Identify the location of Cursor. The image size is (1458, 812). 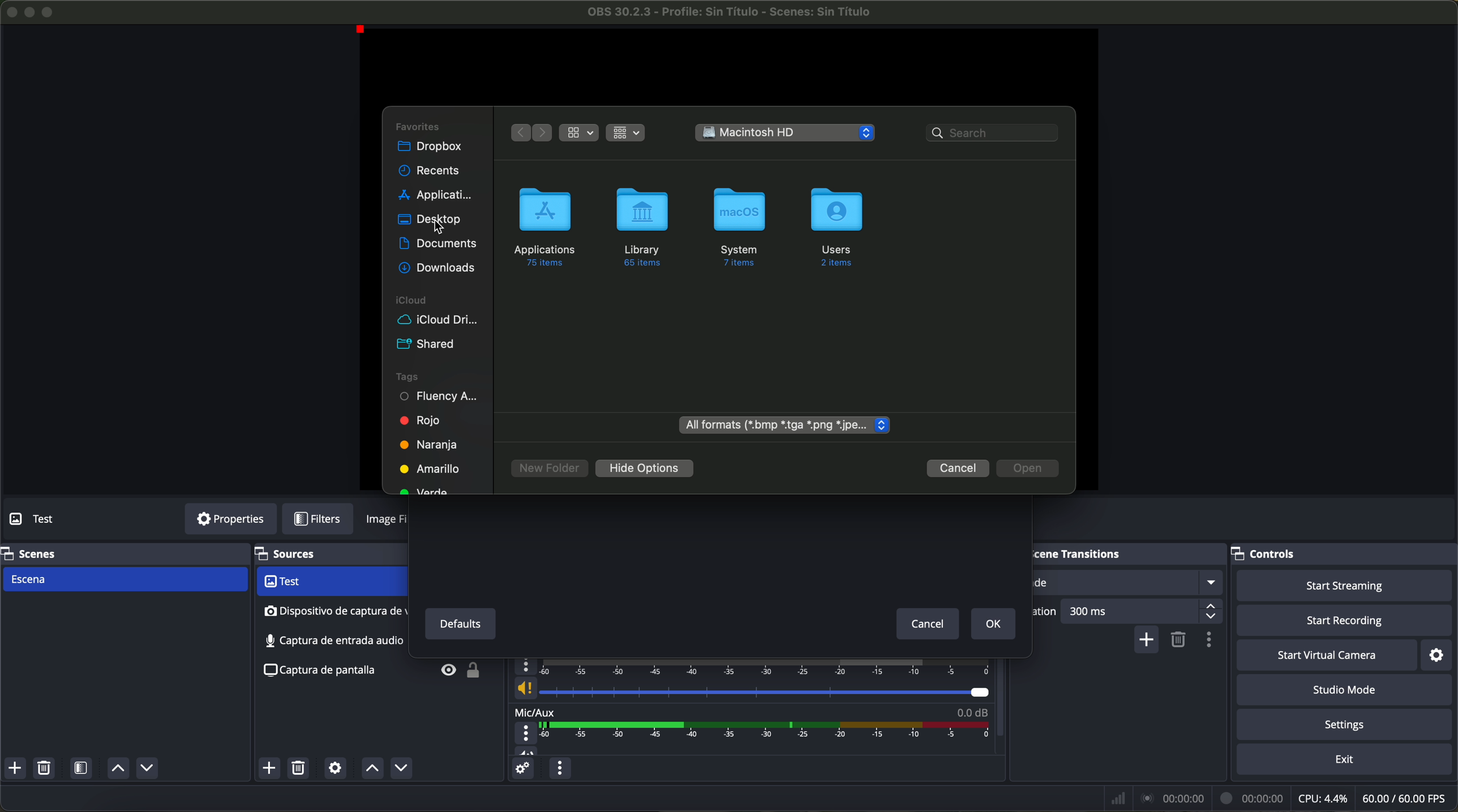
(442, 229).